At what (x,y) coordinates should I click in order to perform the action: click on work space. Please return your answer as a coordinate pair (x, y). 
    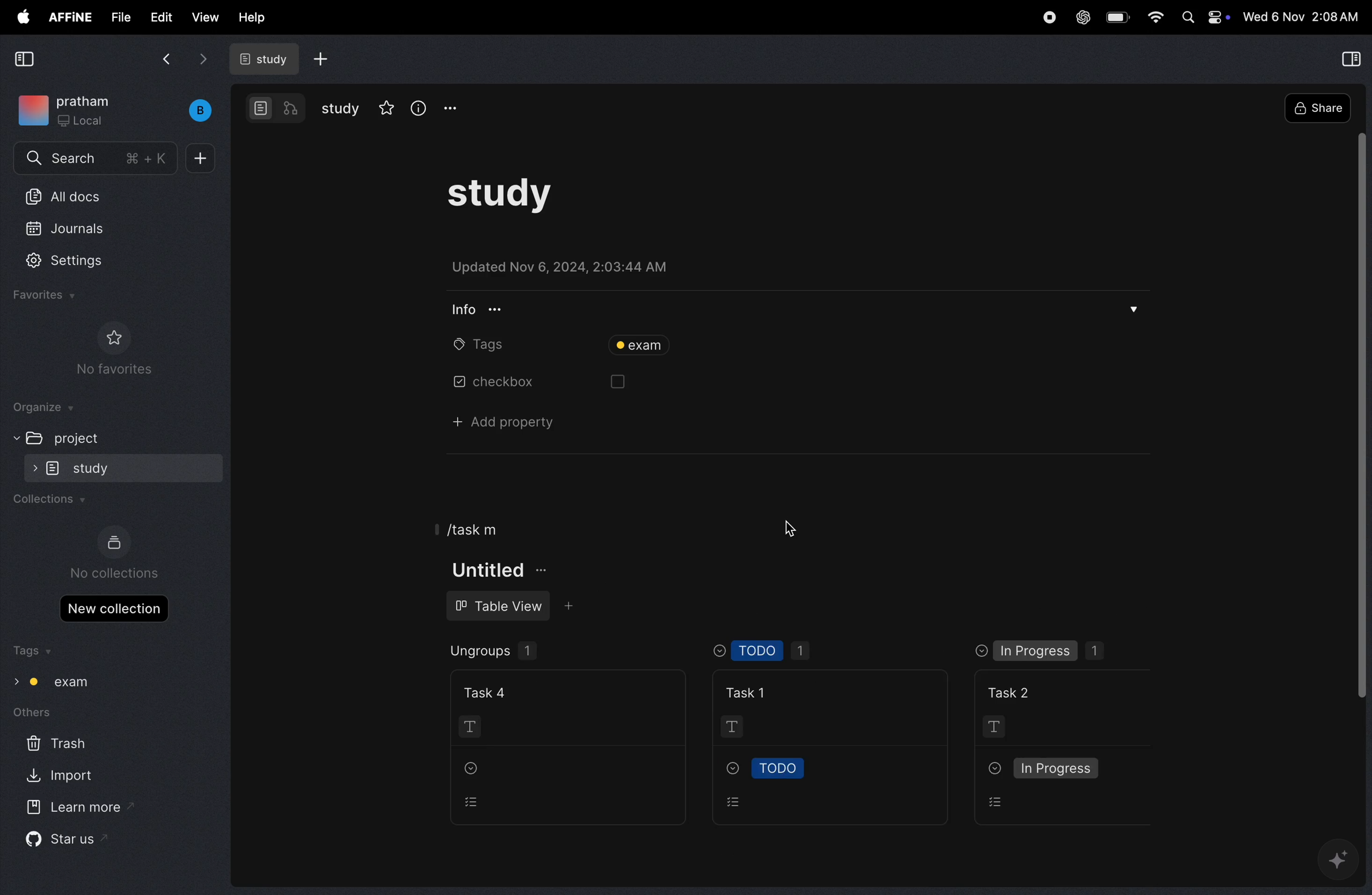
    Looking at the image, I should click on (114, 112).